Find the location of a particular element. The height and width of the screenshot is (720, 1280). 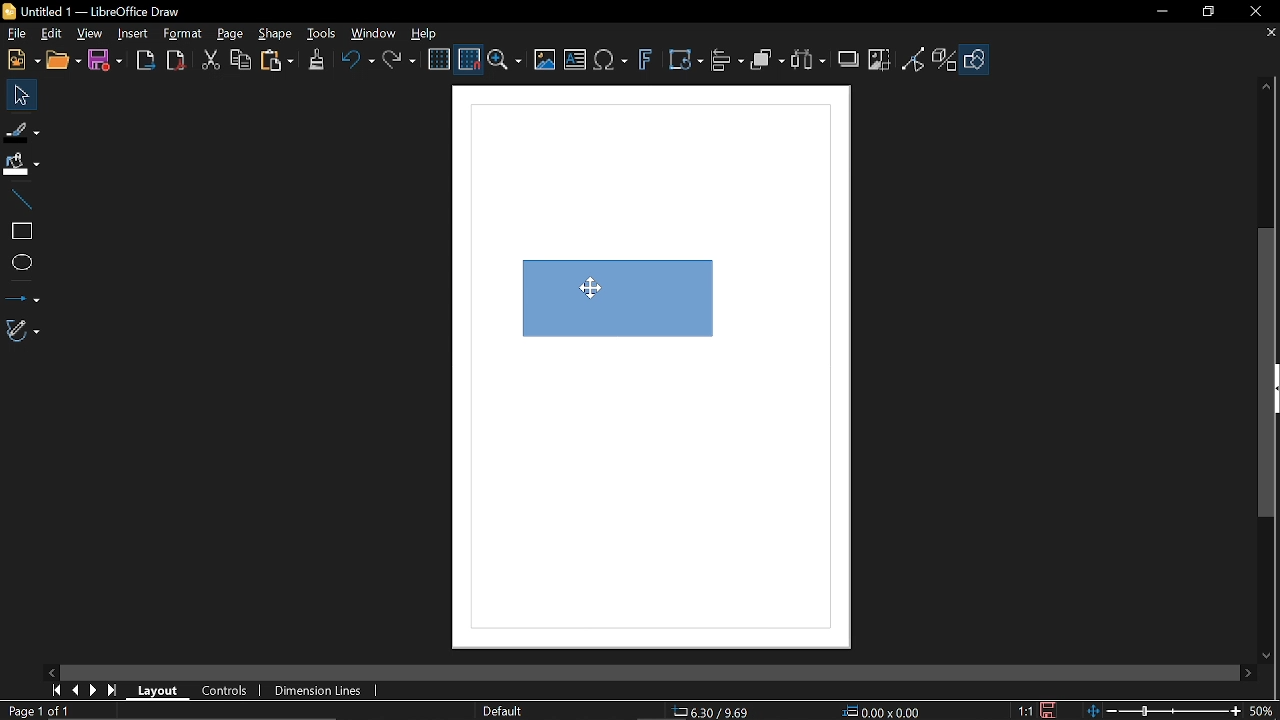

Curves and polygons is located at coordinates (23, 330).